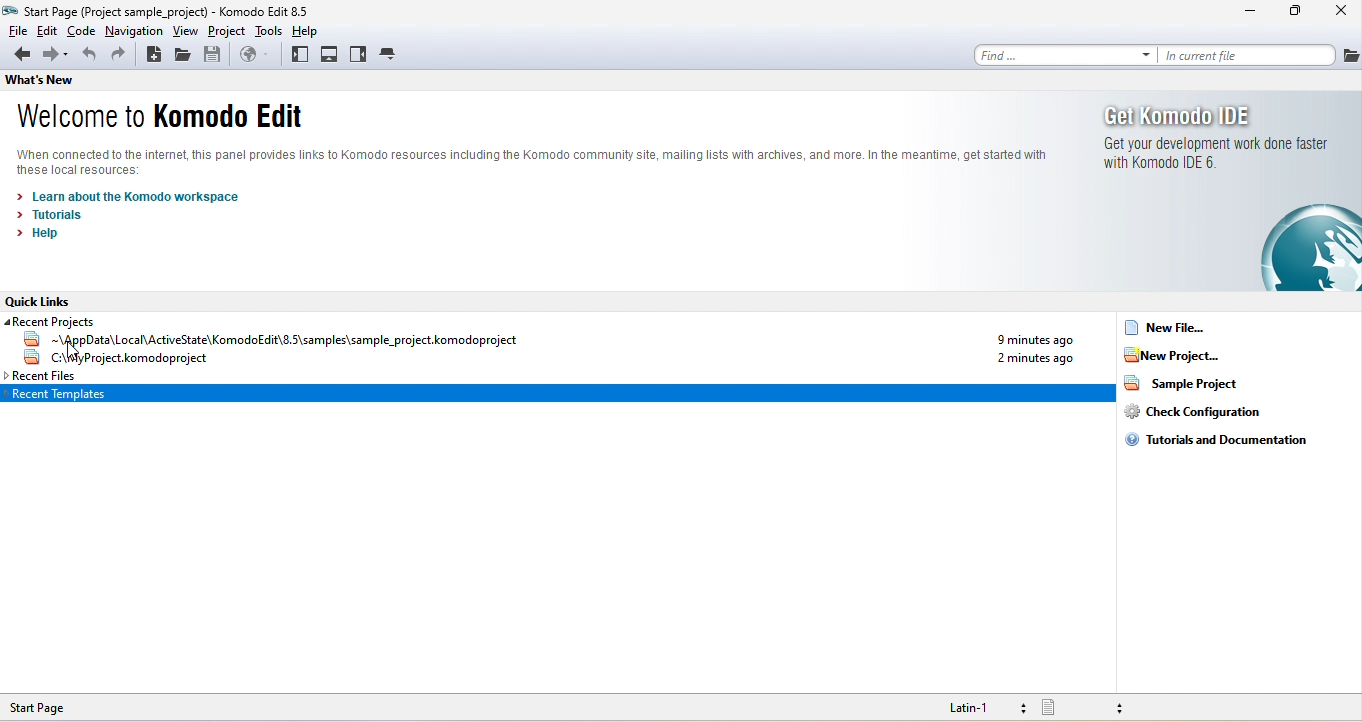 The height and width of the screenshot is (722, 1362). Describe the element at coordinates (70, 354) in the screenshot. I see `cursor movement` at that location.